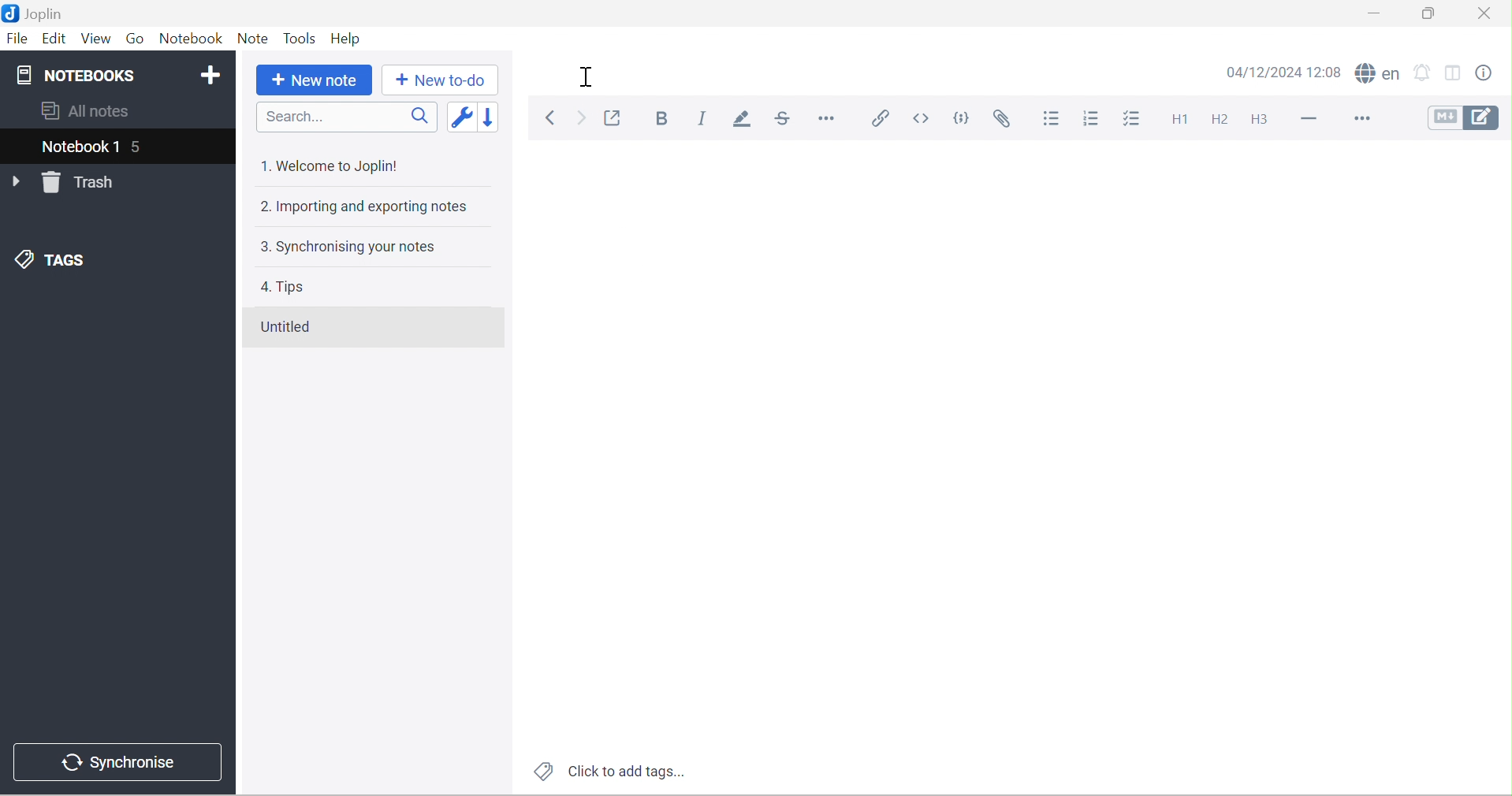 Image resolution: width=1512 pixels, height=796 pixels. I want to click on spell checker, so click(1376, 73).